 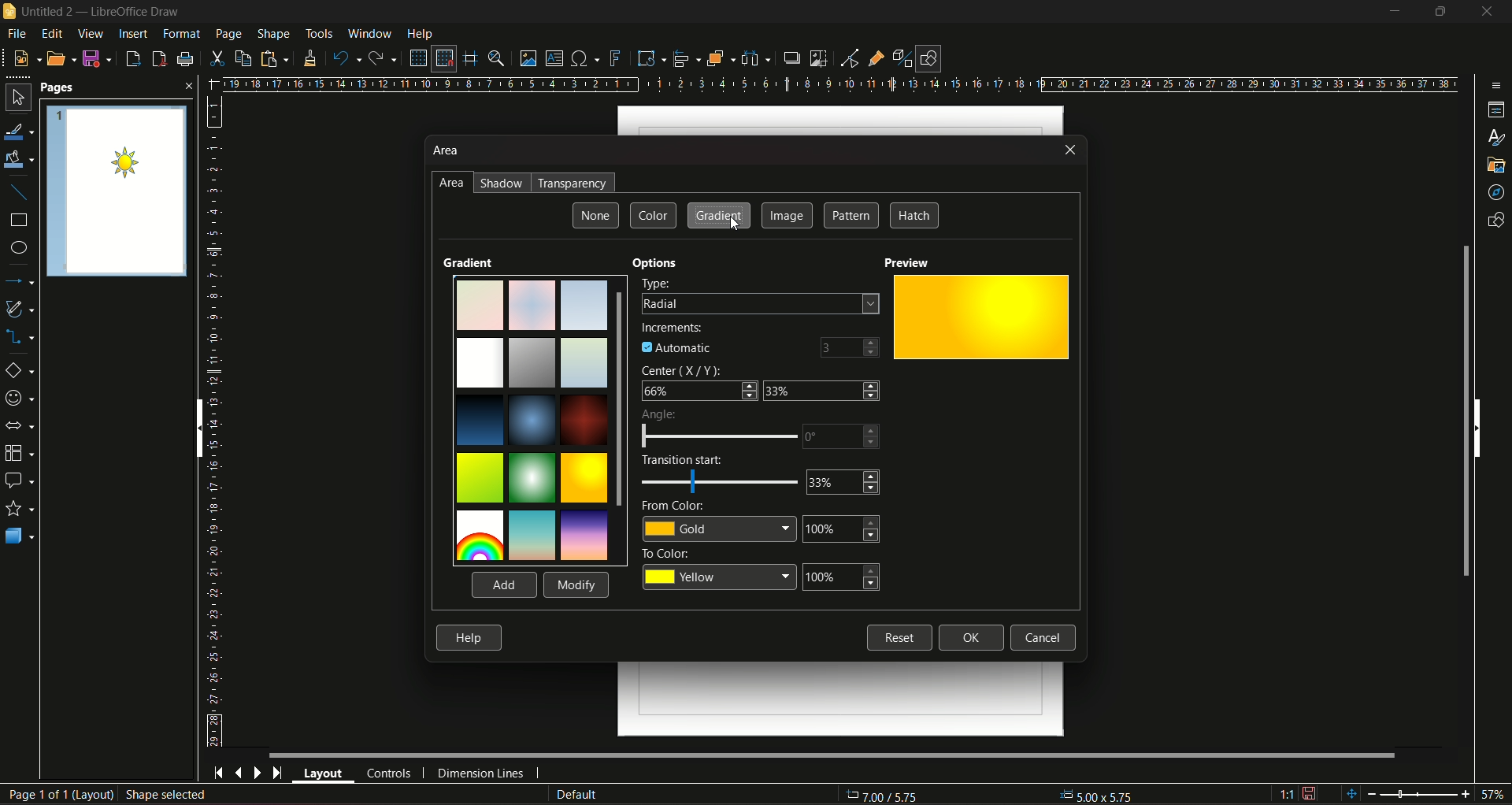 What do you see at coordinates (764, 521) in the screenshot?
I see `From Color` at bounding box center [764, 521].